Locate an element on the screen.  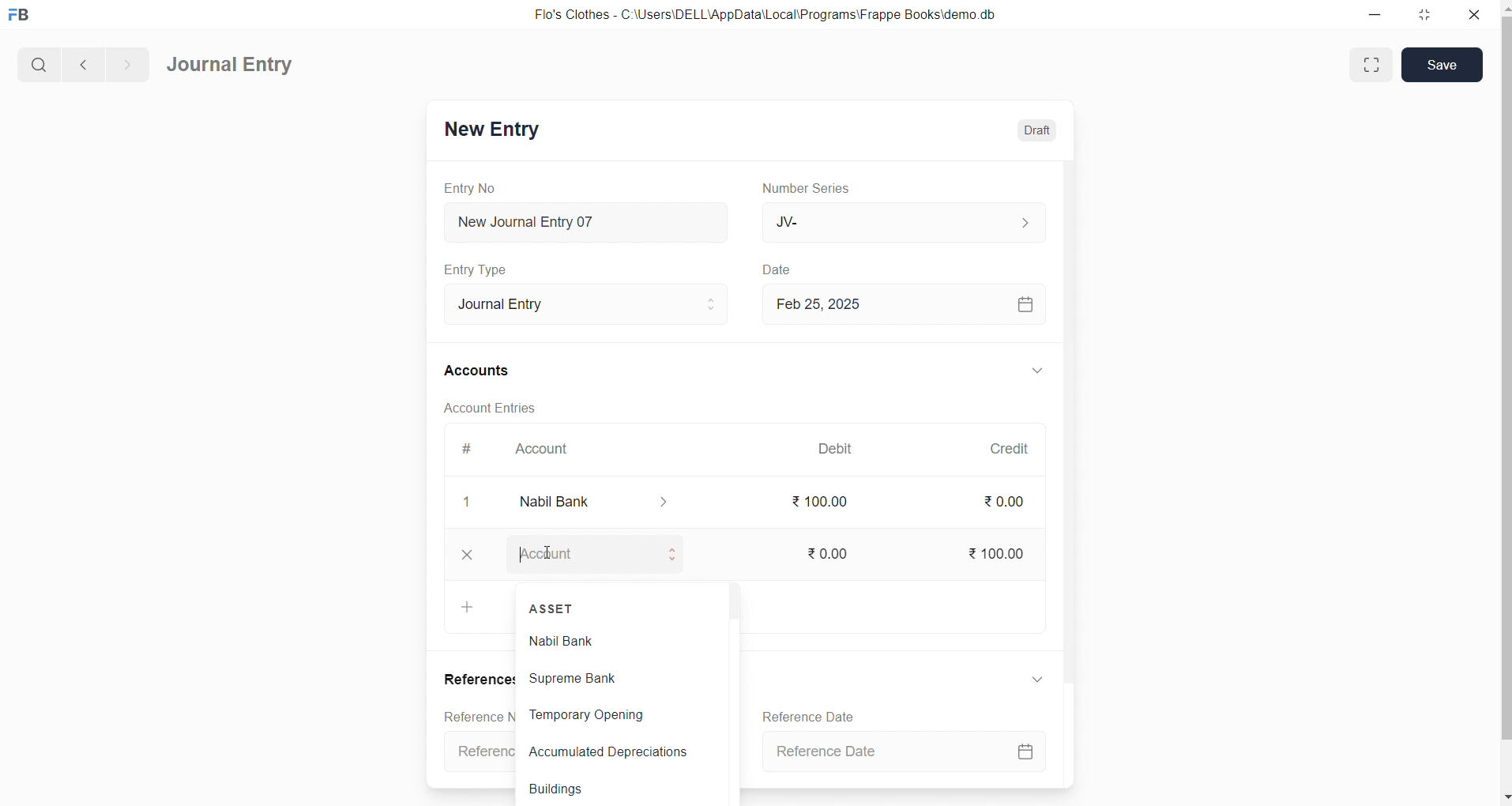
maximize window is located at coordinates (1371, 65).